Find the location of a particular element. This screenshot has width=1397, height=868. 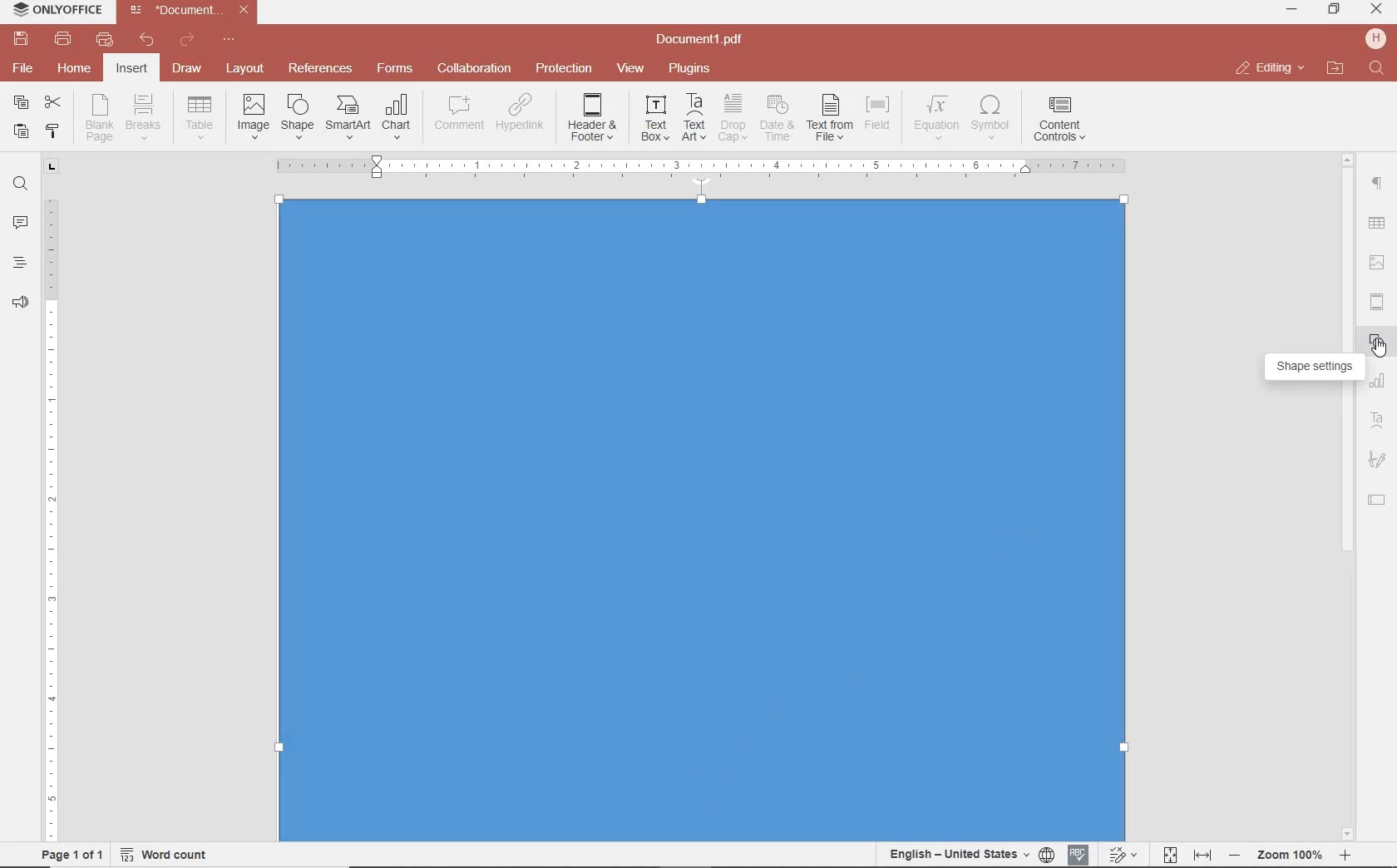

cursor is located at coordinates (1378, 348).